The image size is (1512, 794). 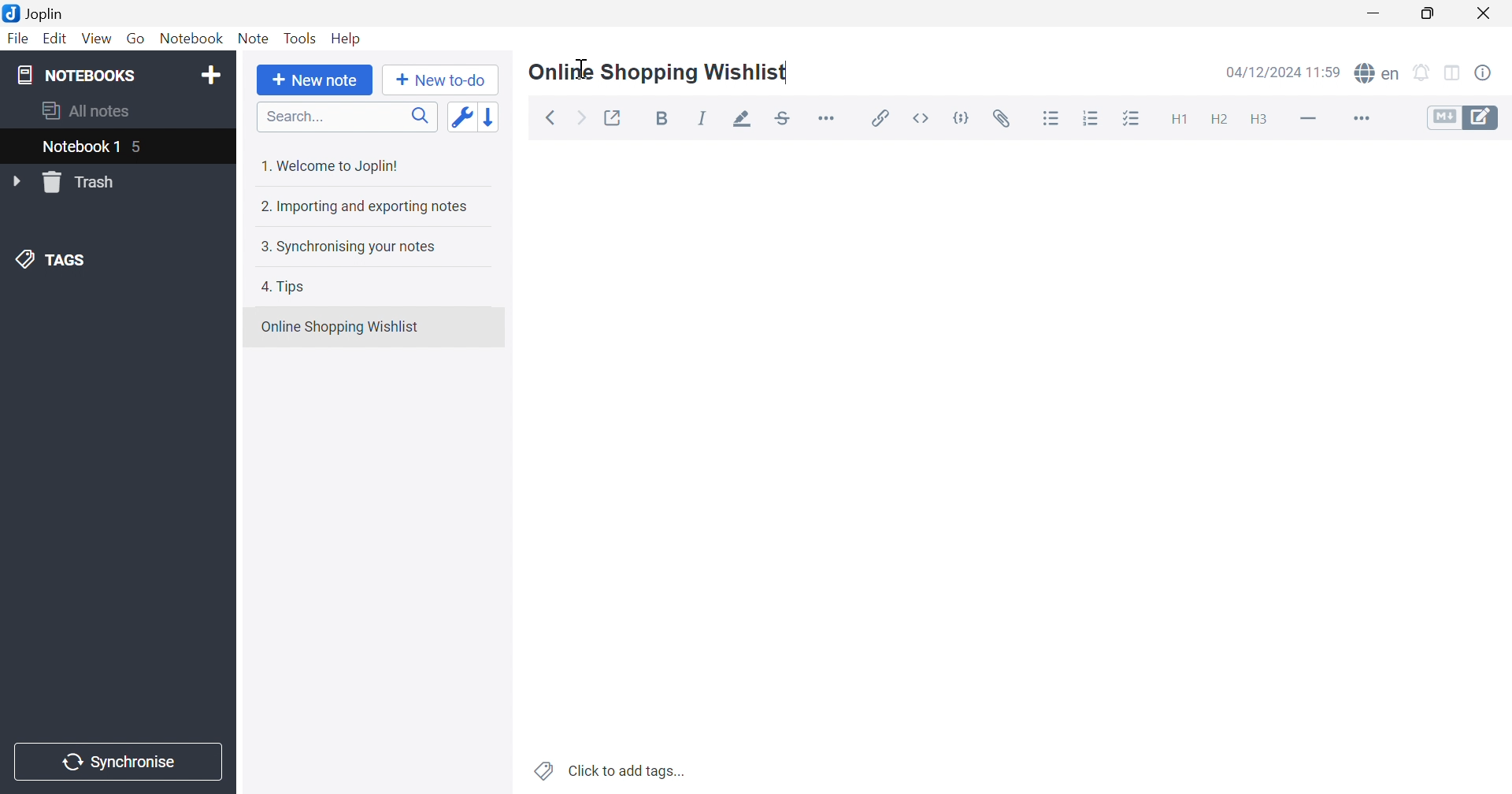 I want to click on Note, so click(x=253, y=40).